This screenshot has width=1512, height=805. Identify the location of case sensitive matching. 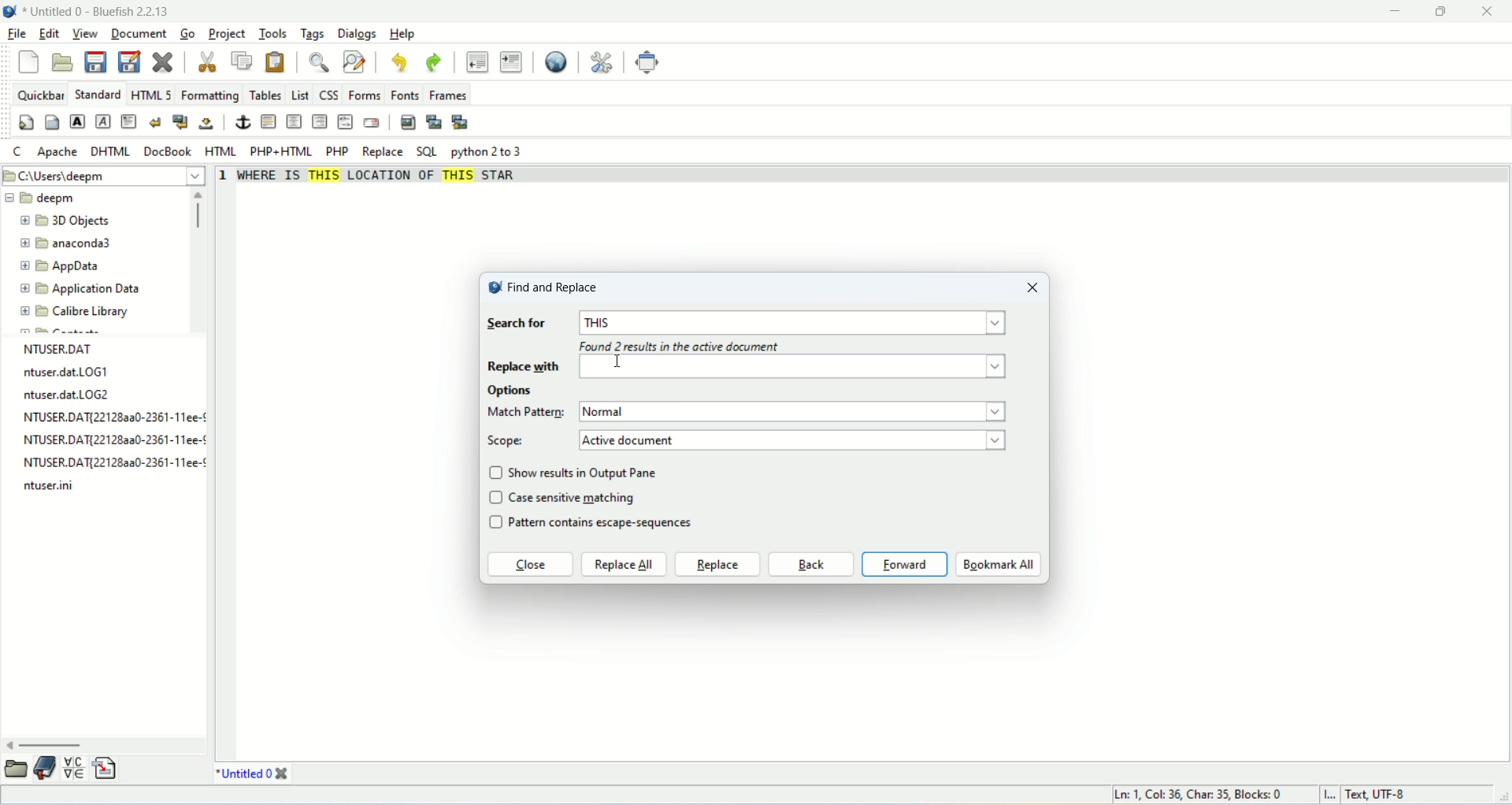
(575, 497).